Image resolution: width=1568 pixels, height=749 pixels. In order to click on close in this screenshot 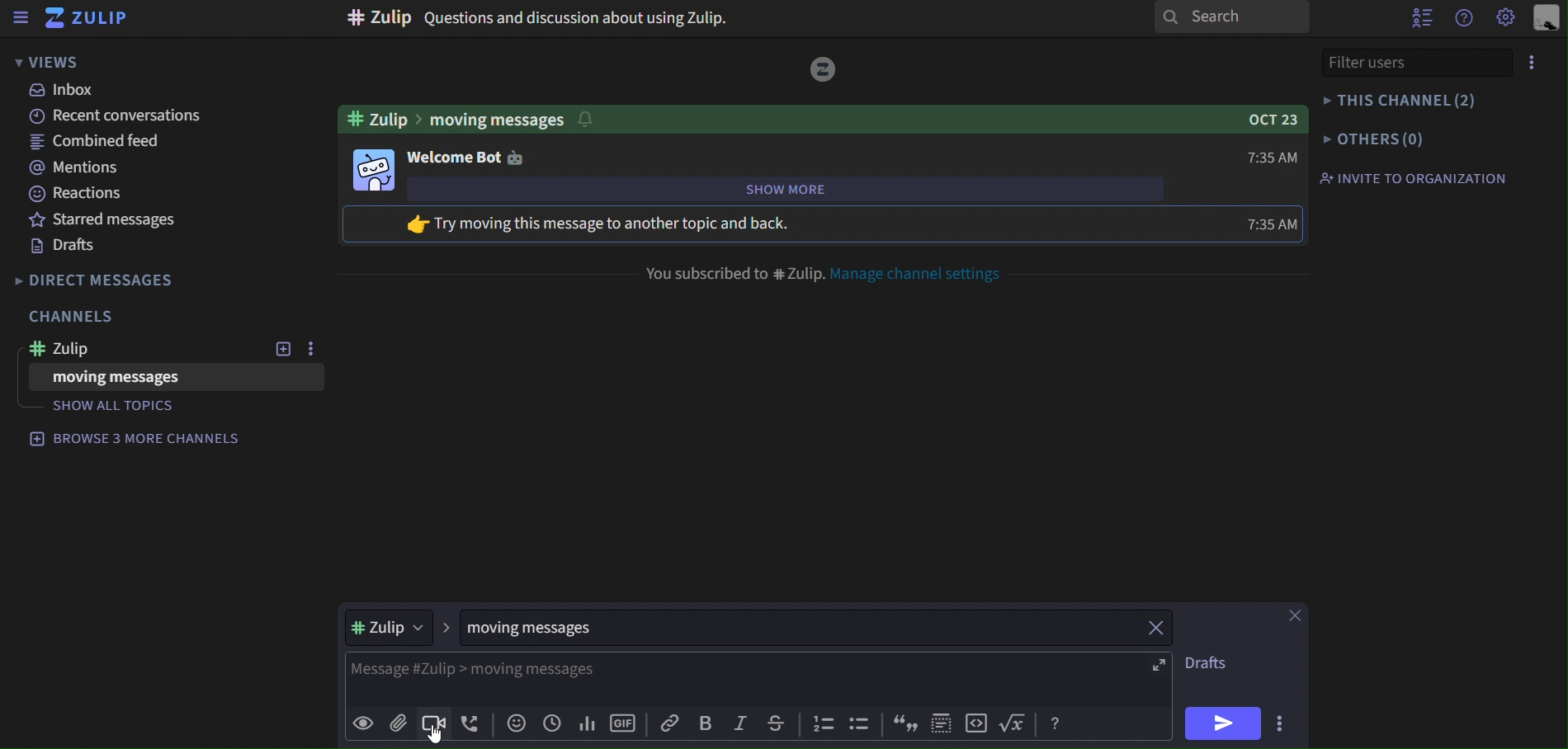, I will do `click(1157, 628)`.